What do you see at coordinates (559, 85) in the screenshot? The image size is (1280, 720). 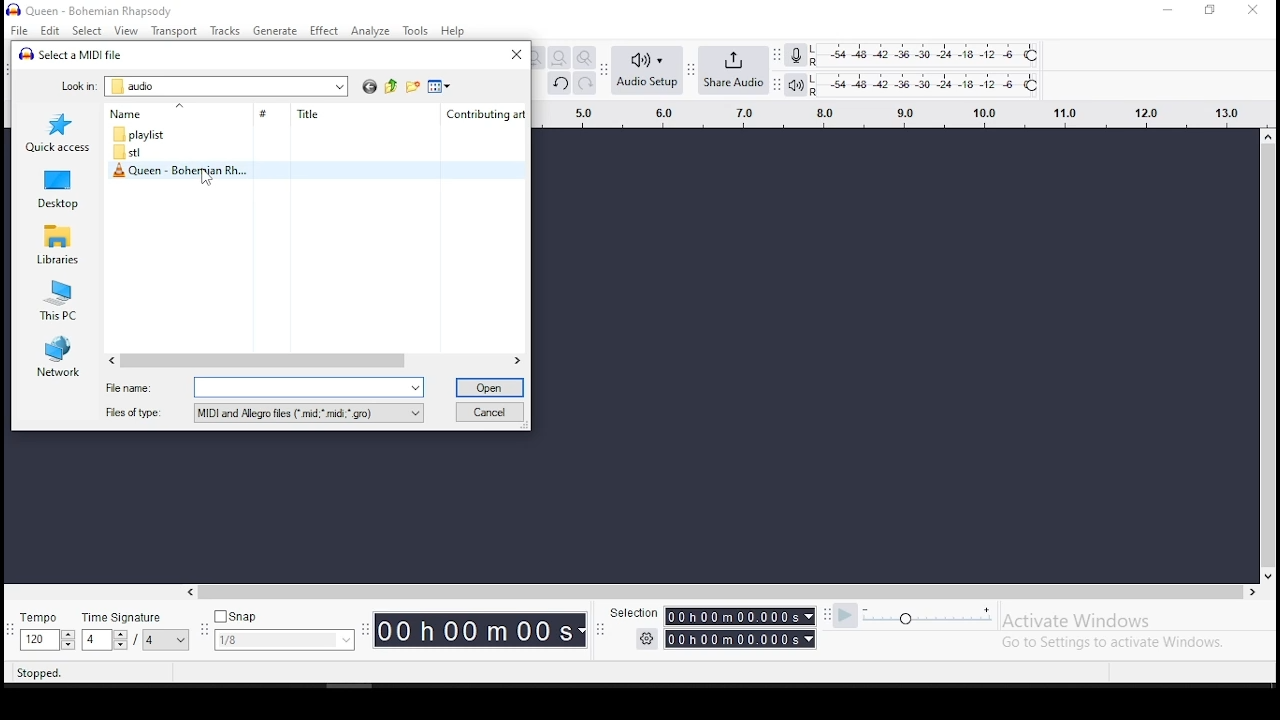 I see `undo` at bounding box center [559, 85].